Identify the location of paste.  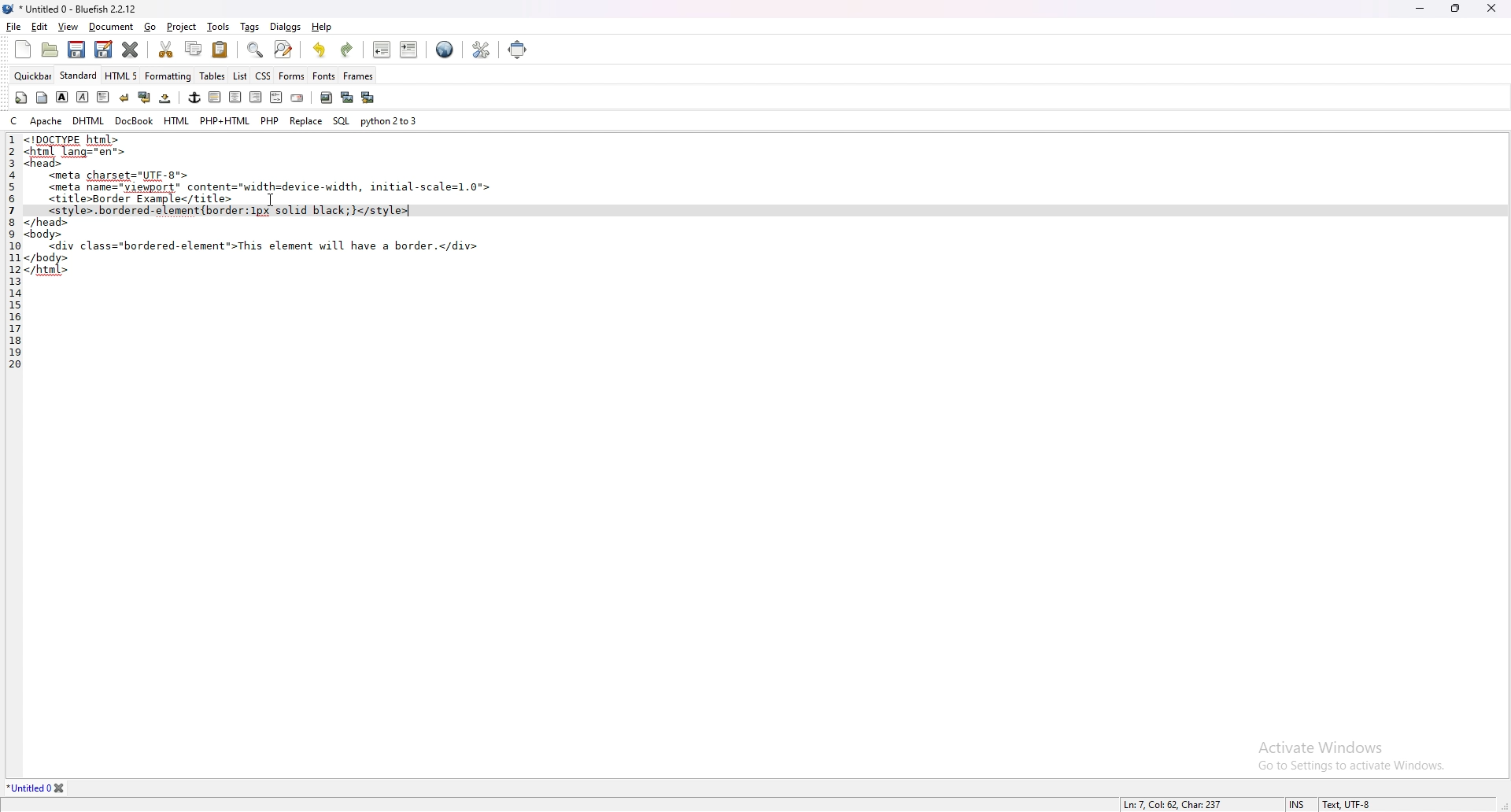
(220, 50).